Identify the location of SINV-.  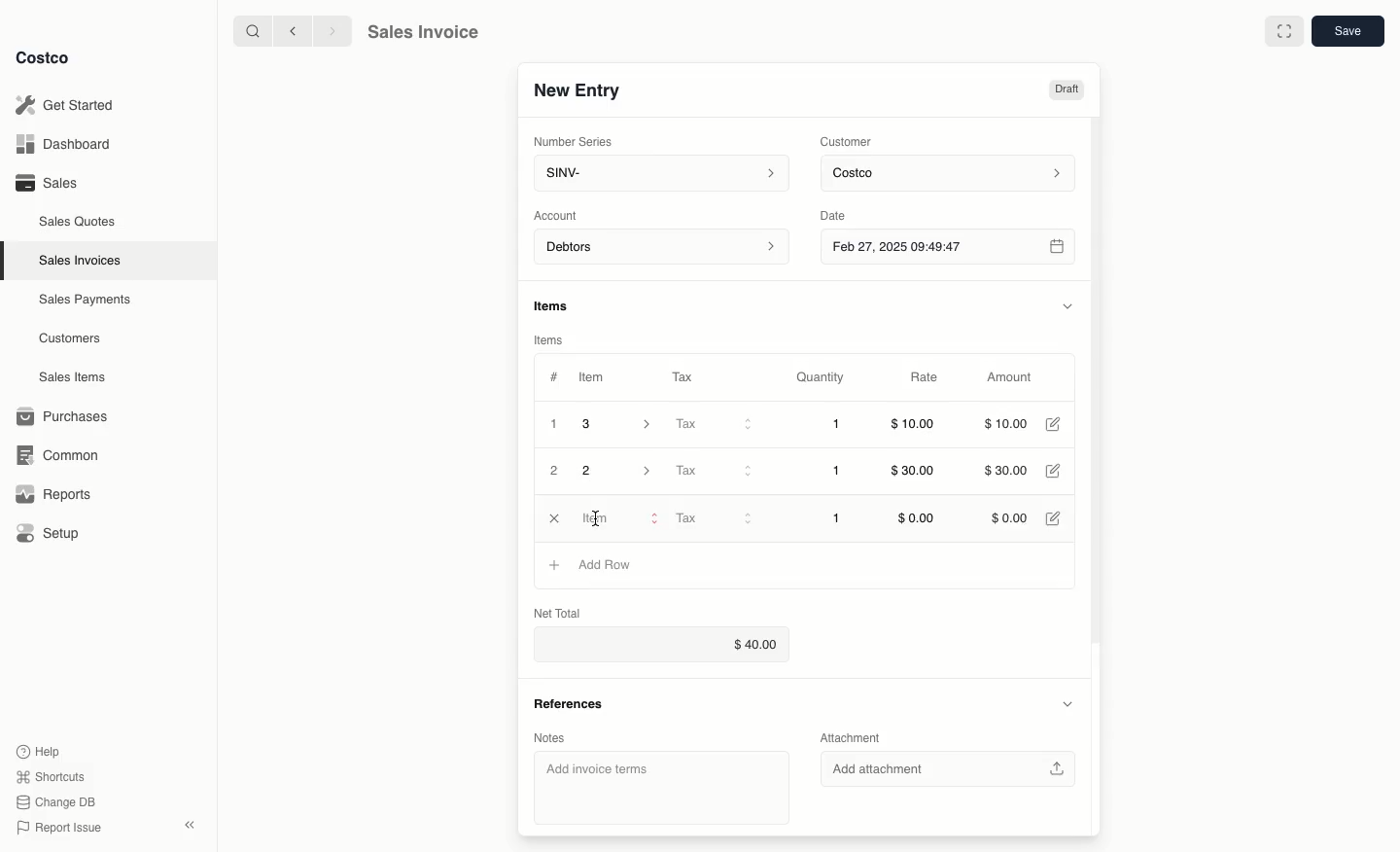
(657, 175).